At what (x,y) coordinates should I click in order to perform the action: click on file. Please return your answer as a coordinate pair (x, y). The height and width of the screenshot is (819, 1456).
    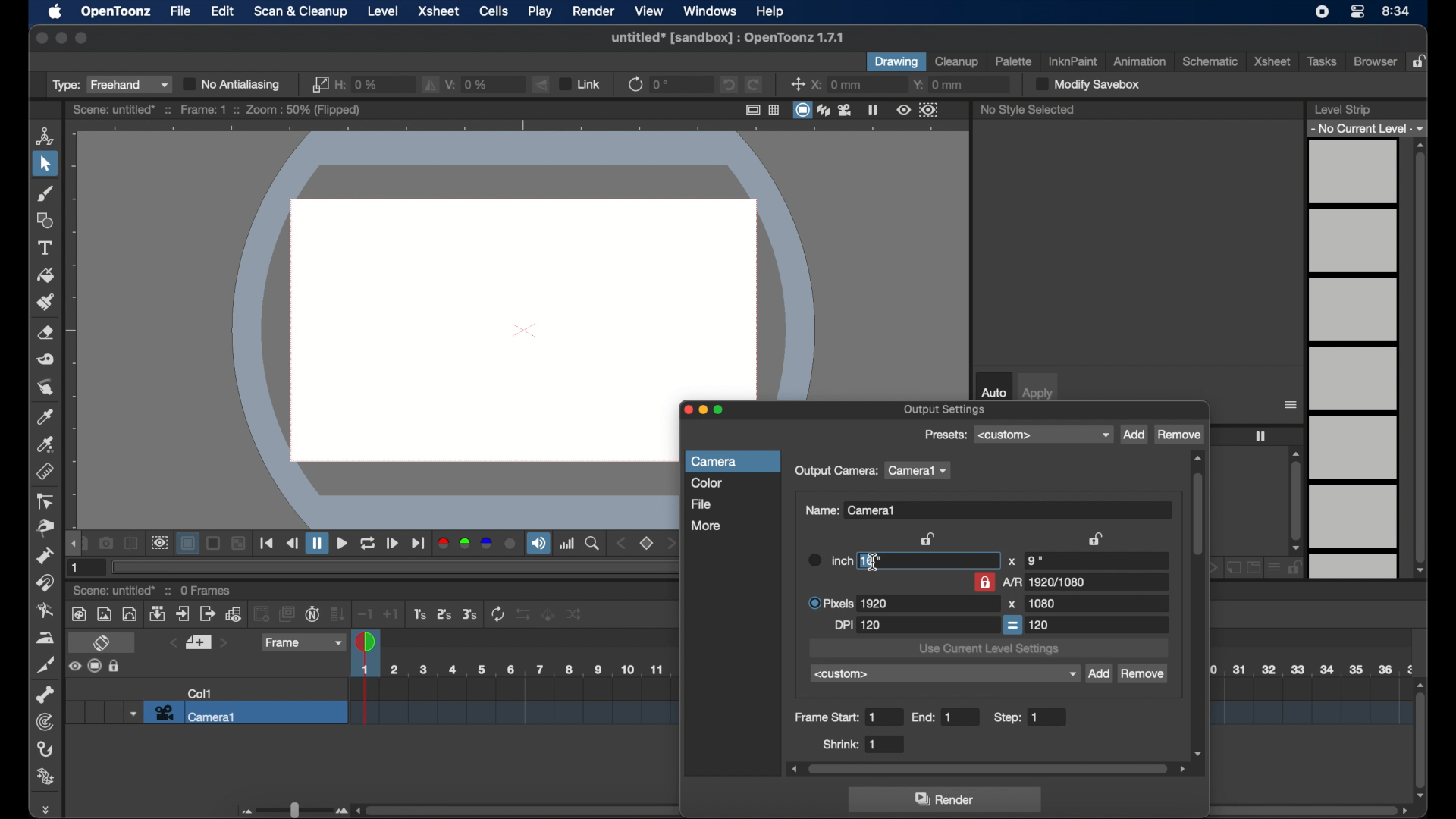
    Looking at the image, I should click on (701, 504).